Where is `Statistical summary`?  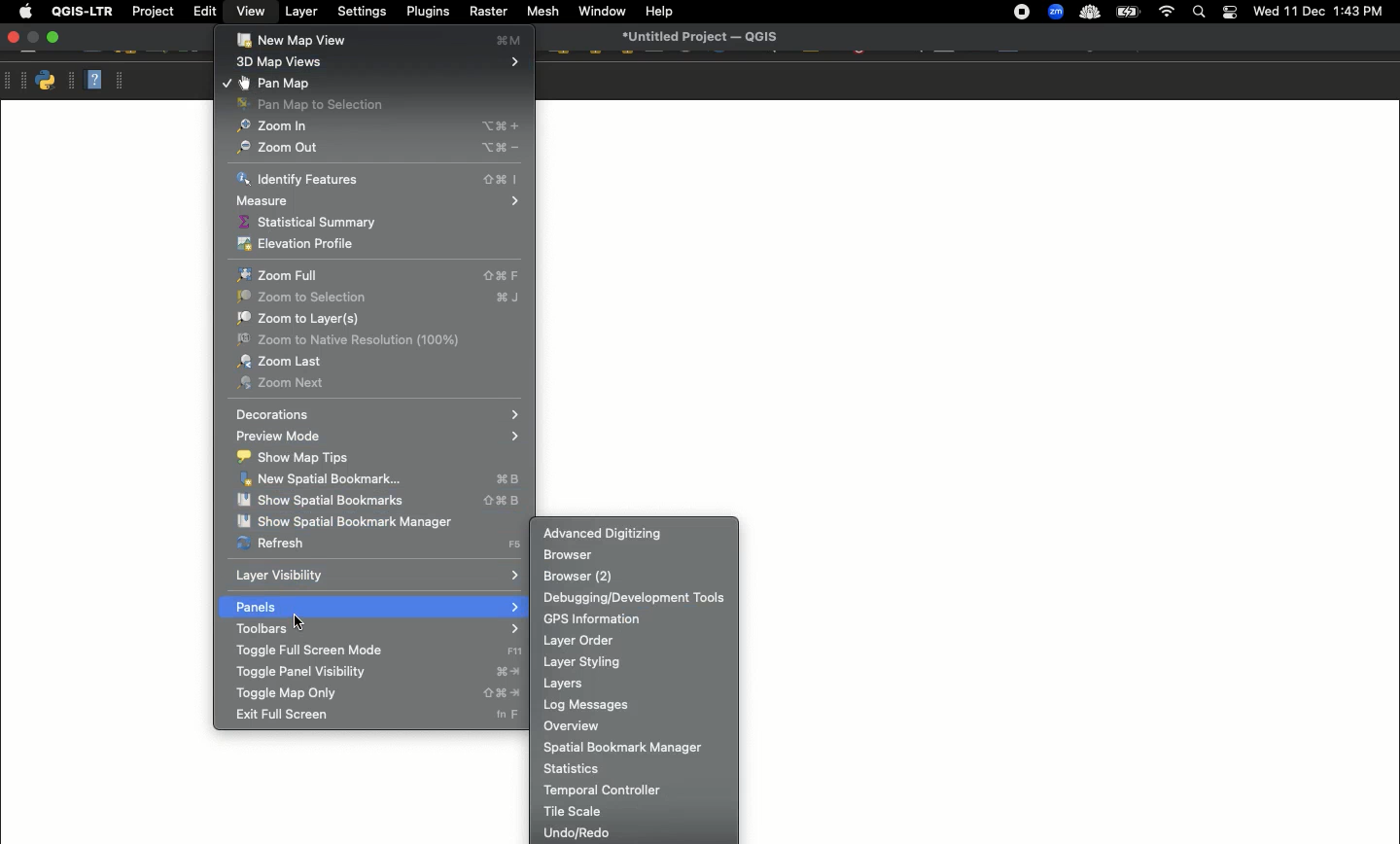 Statistical summary is located at coordinates (381, 222).